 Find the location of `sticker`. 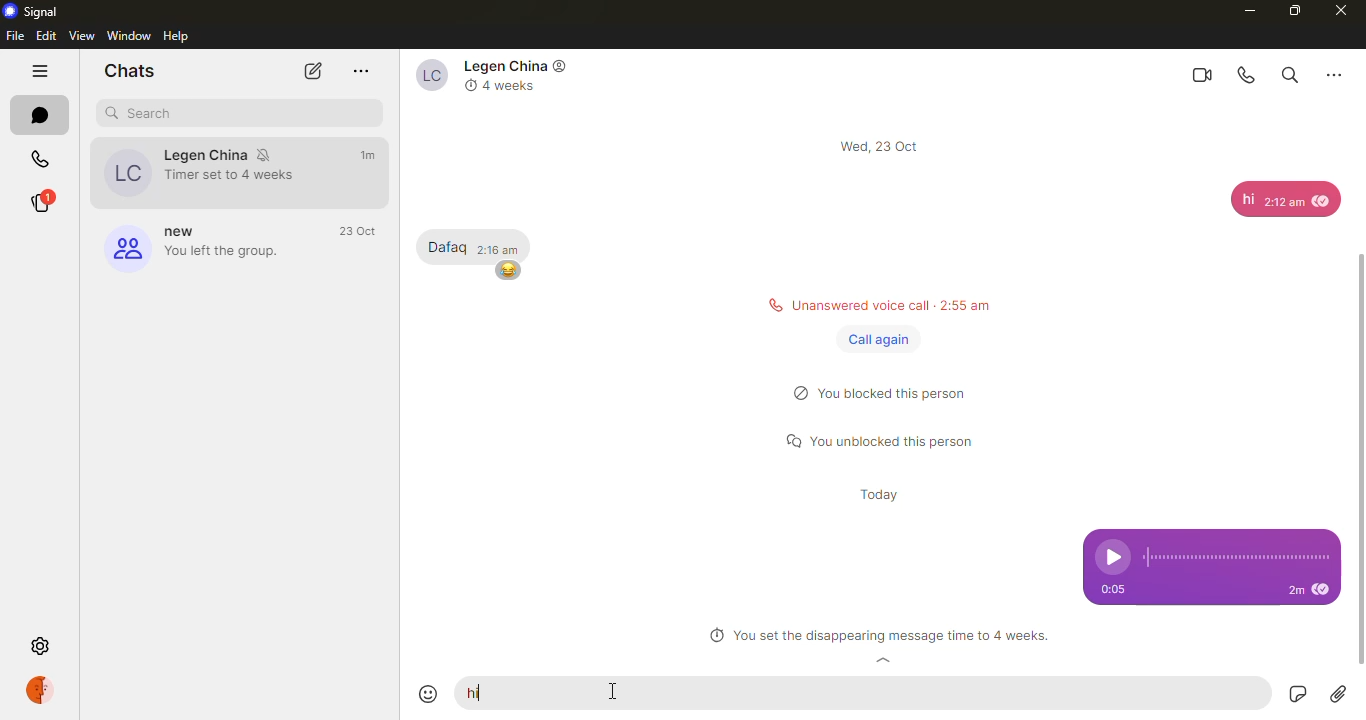

sticker is located at coordinates (1254, 694).